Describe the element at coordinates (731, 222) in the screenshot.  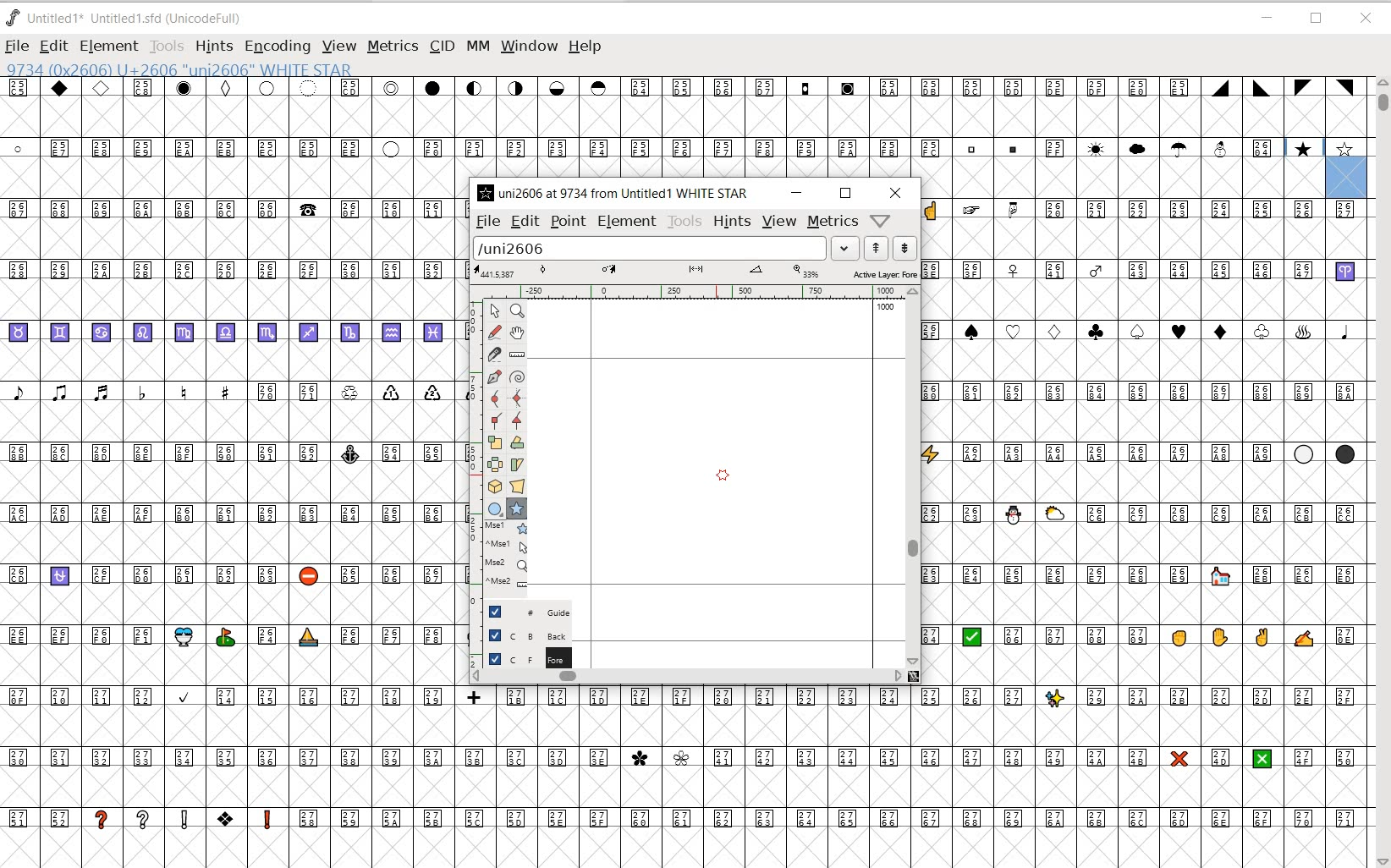
I see `HINTS` at that location.